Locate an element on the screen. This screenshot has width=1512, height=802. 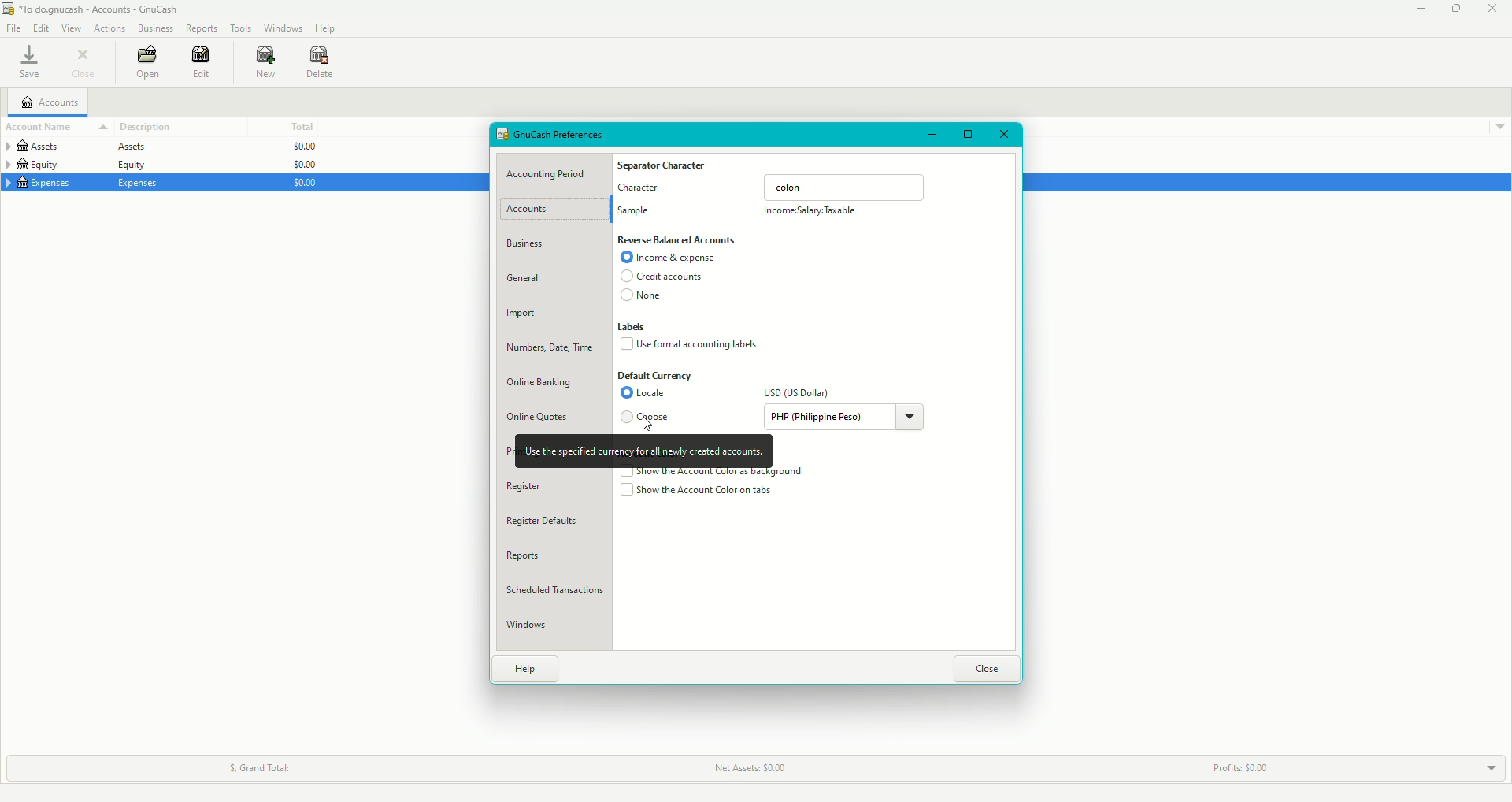
File is located at coordinates (13, 27).